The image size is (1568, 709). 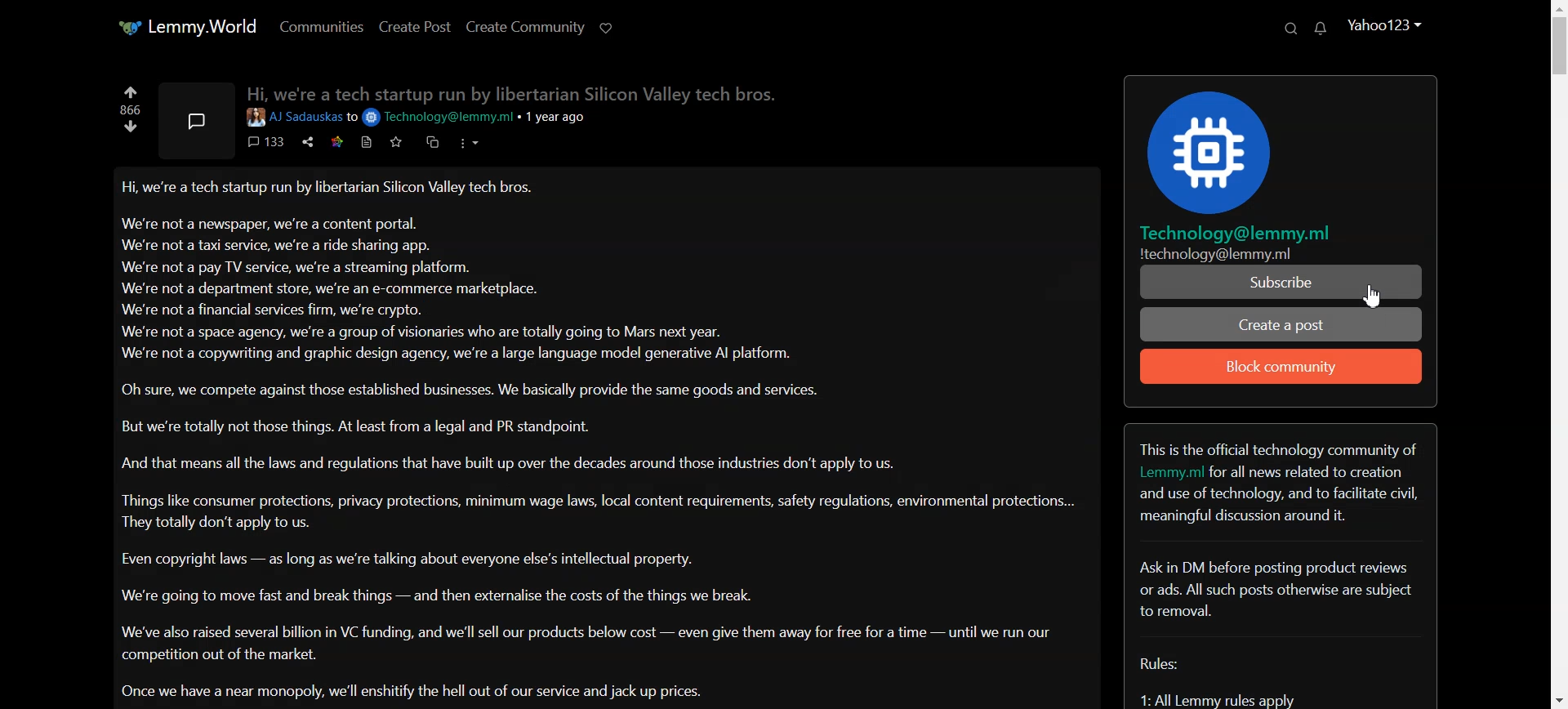 What do you see at coordinates (1272, 154) in the screenshot?
I see `Logo` at bounding box center [1272, 154].